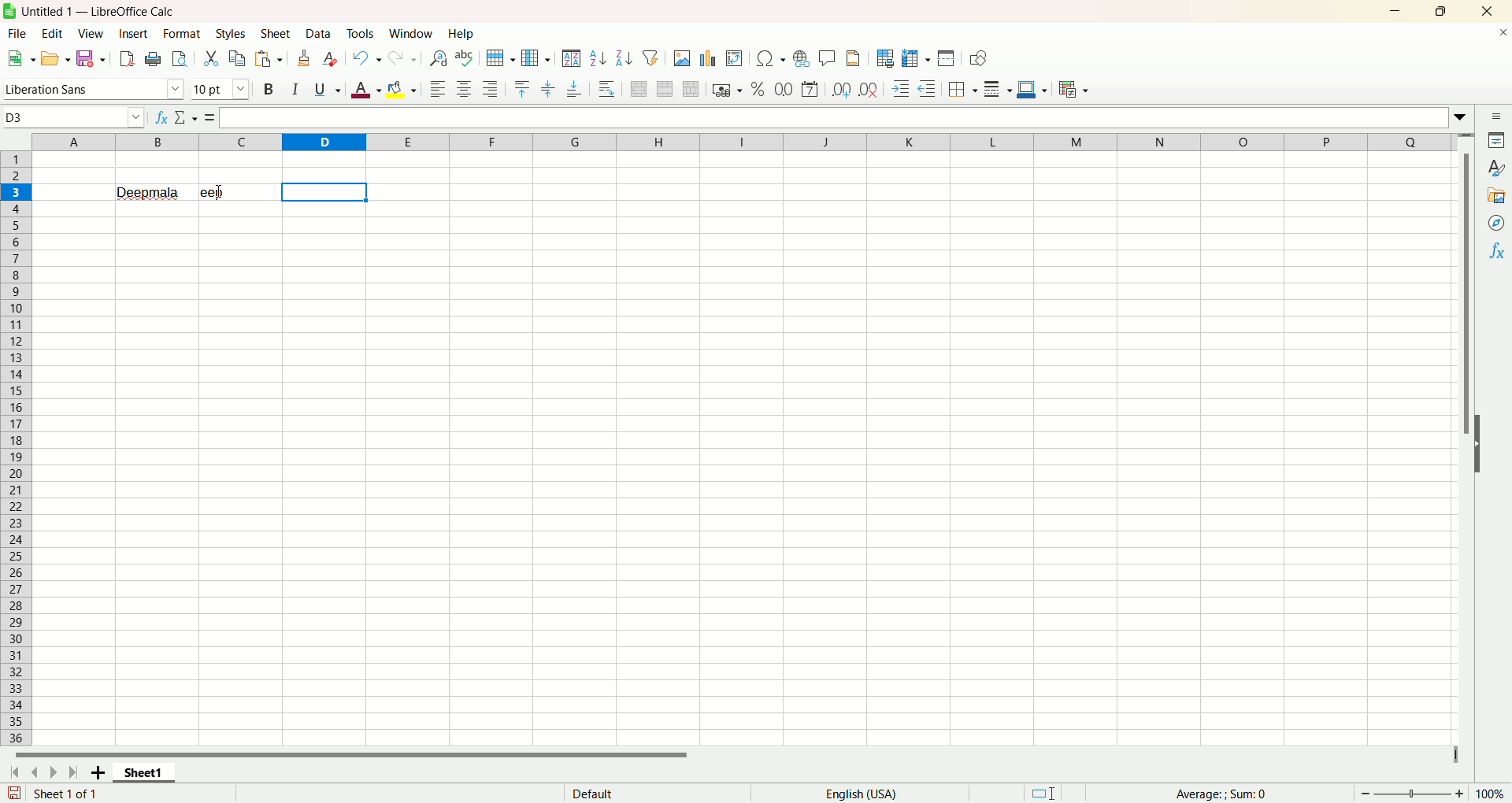  Describe the element at coordinates (491, 88) in the screenshot. I see `align right` at that location.